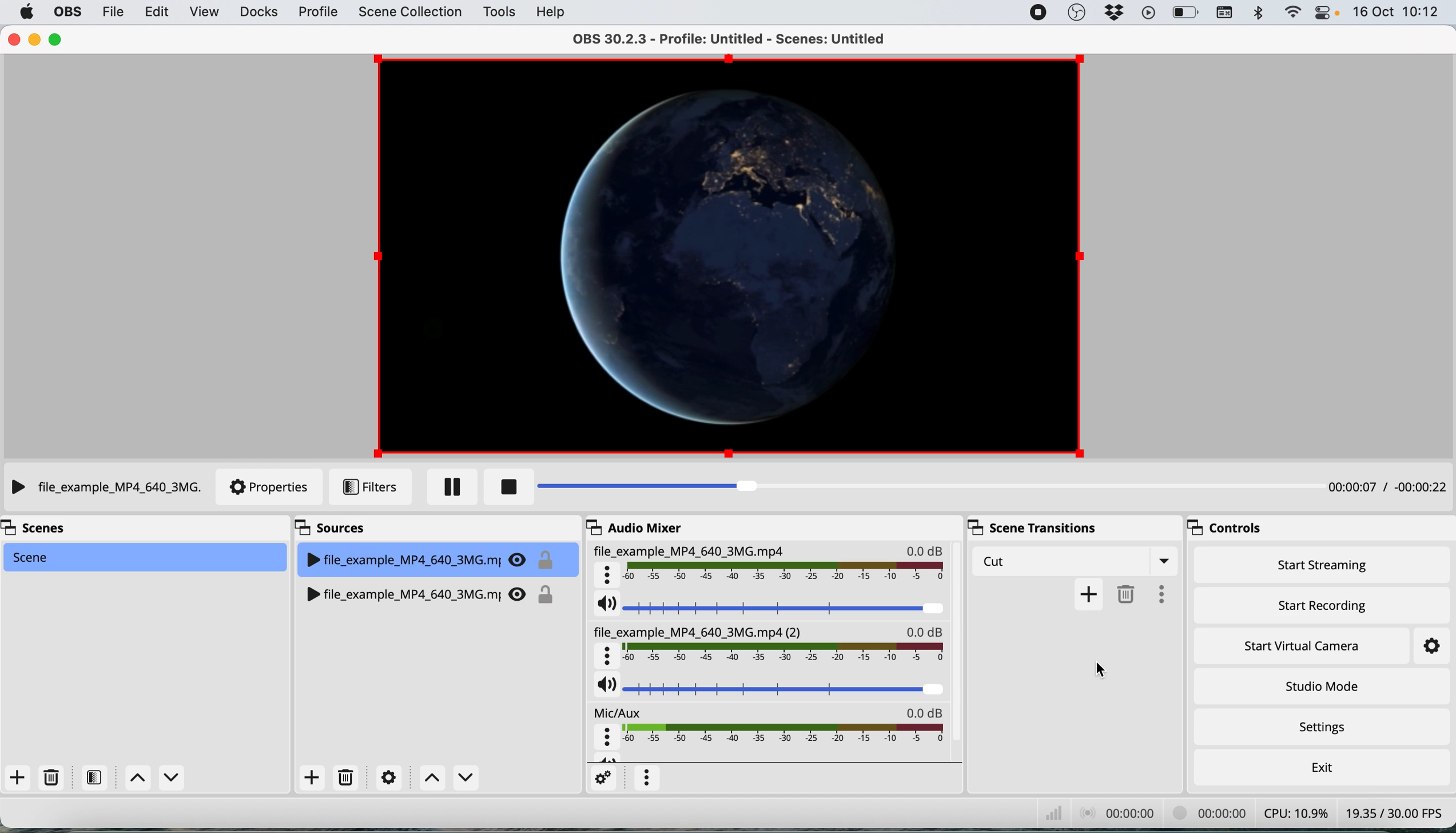  Describe the element at coordinates (275, 489) in the screenshot. I see `properties` at that location.